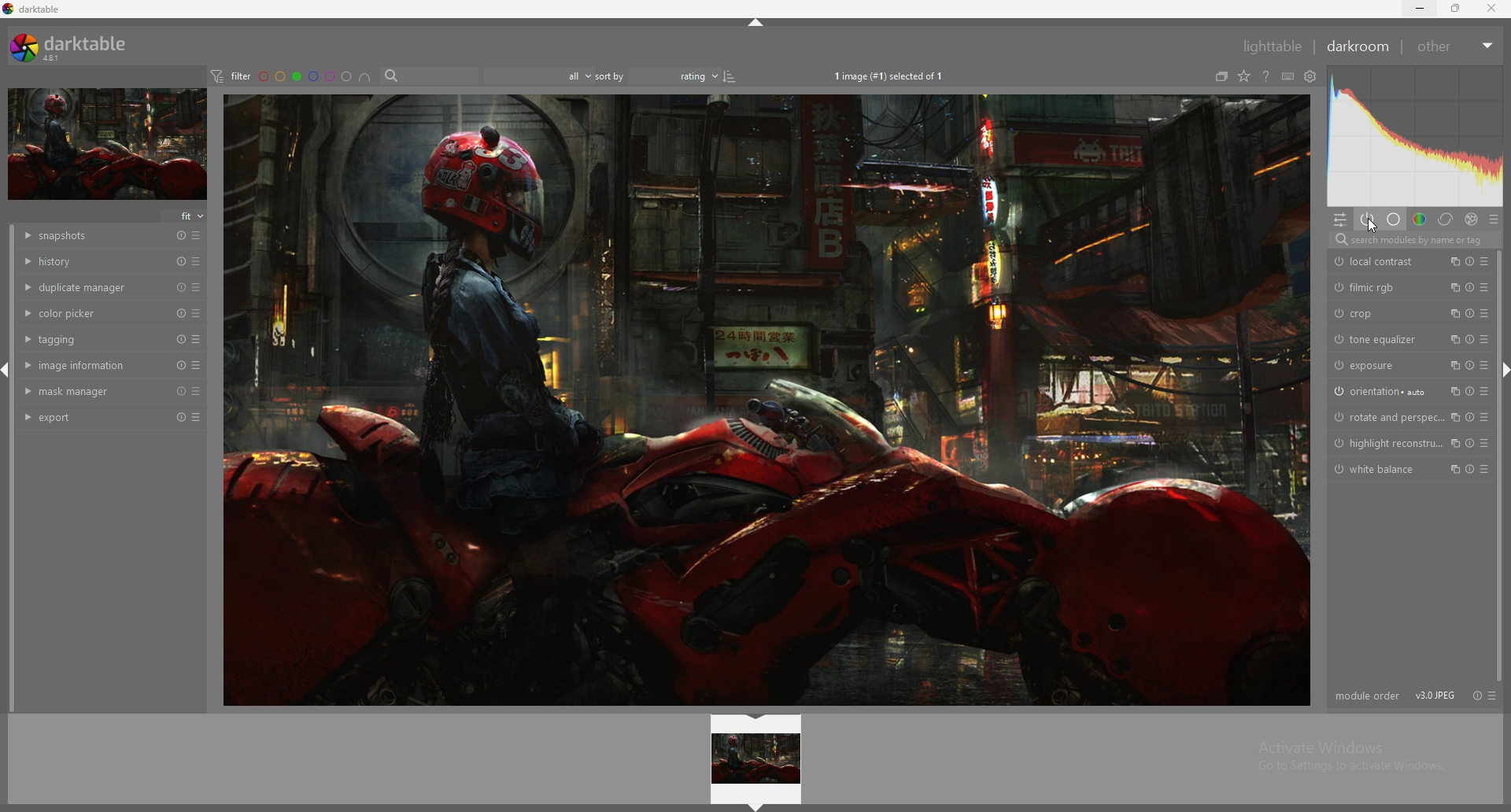 The height and width of the screenshot is (812, 1511). I want to click on color labels, so click(306, 76).